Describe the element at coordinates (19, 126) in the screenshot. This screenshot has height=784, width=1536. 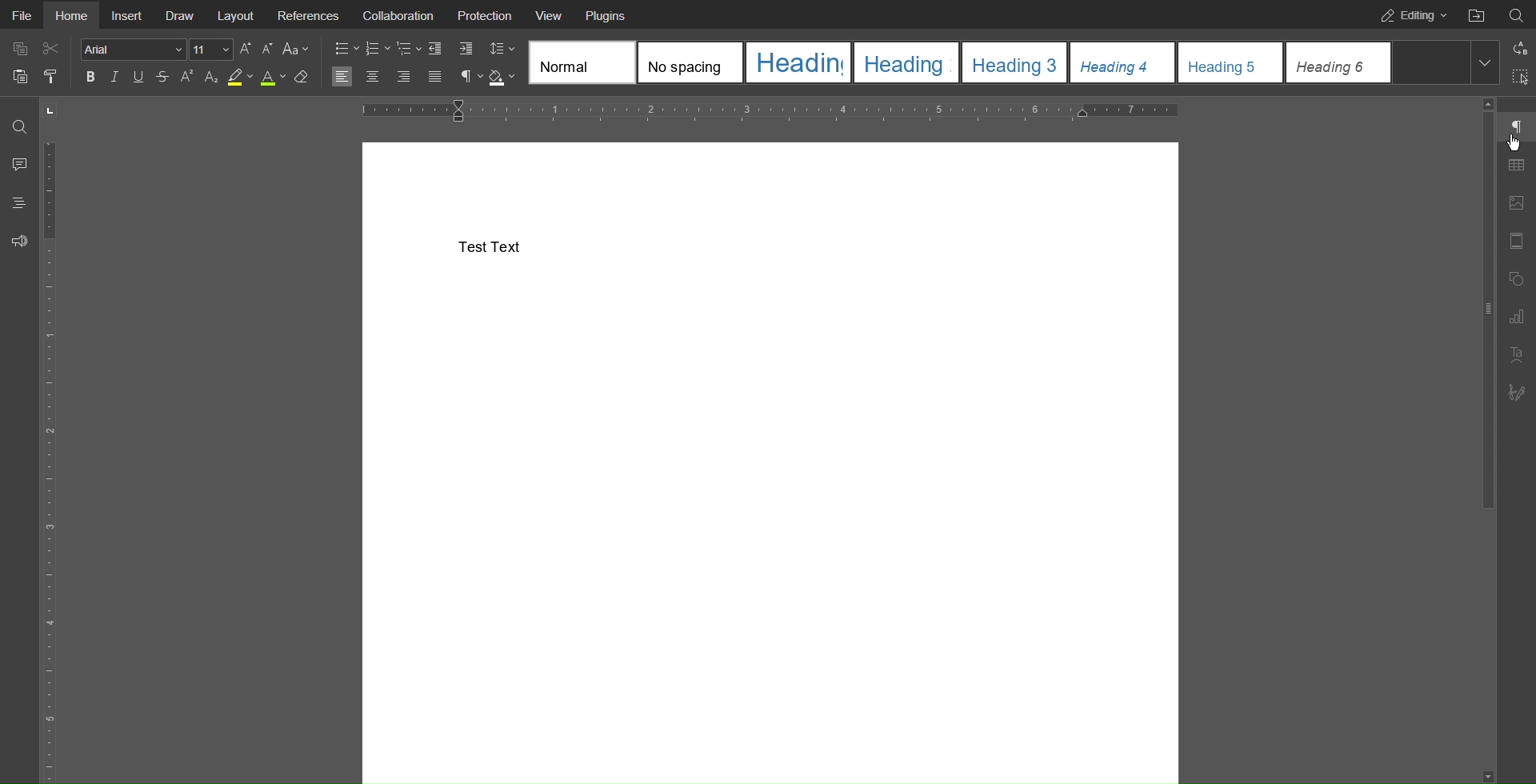
I see `Search` at that location.